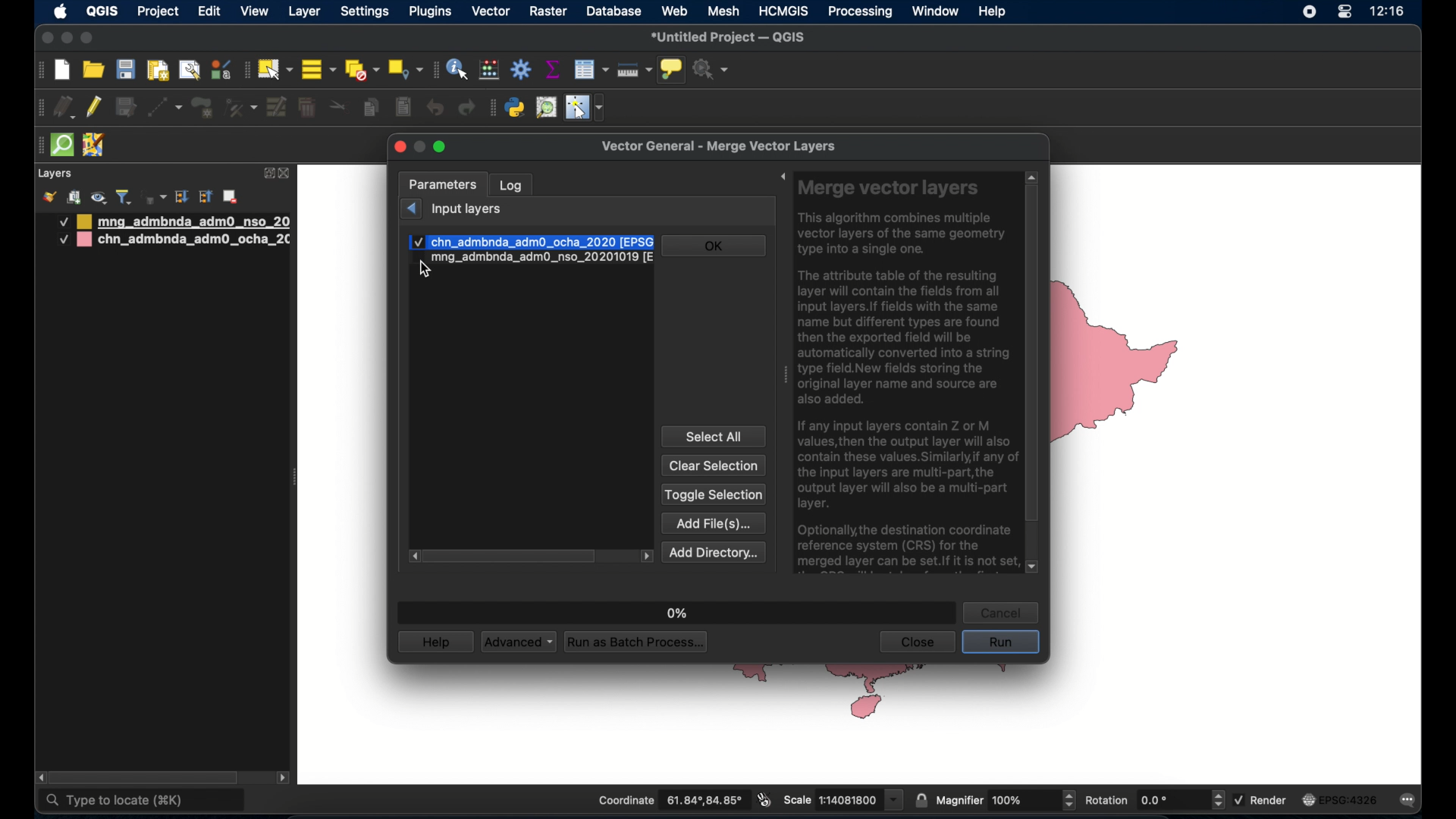 The height and width of the screenshot is (819, 1456). Describe the element at coordinates (125, 71) in the screenshot. I see `save project` at that location.